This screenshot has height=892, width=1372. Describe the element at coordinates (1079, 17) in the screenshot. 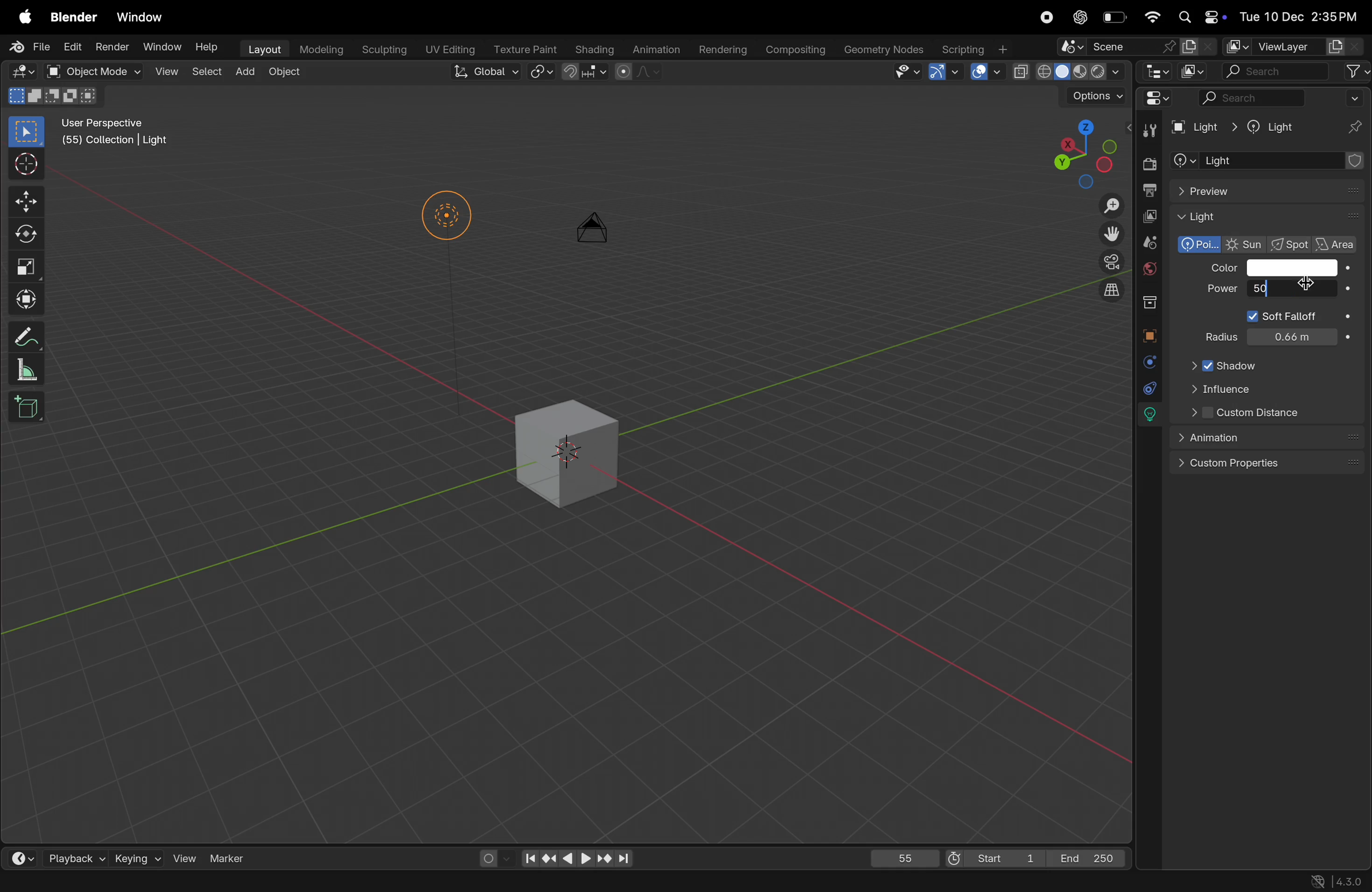

I see `cahtgpt` at that location.